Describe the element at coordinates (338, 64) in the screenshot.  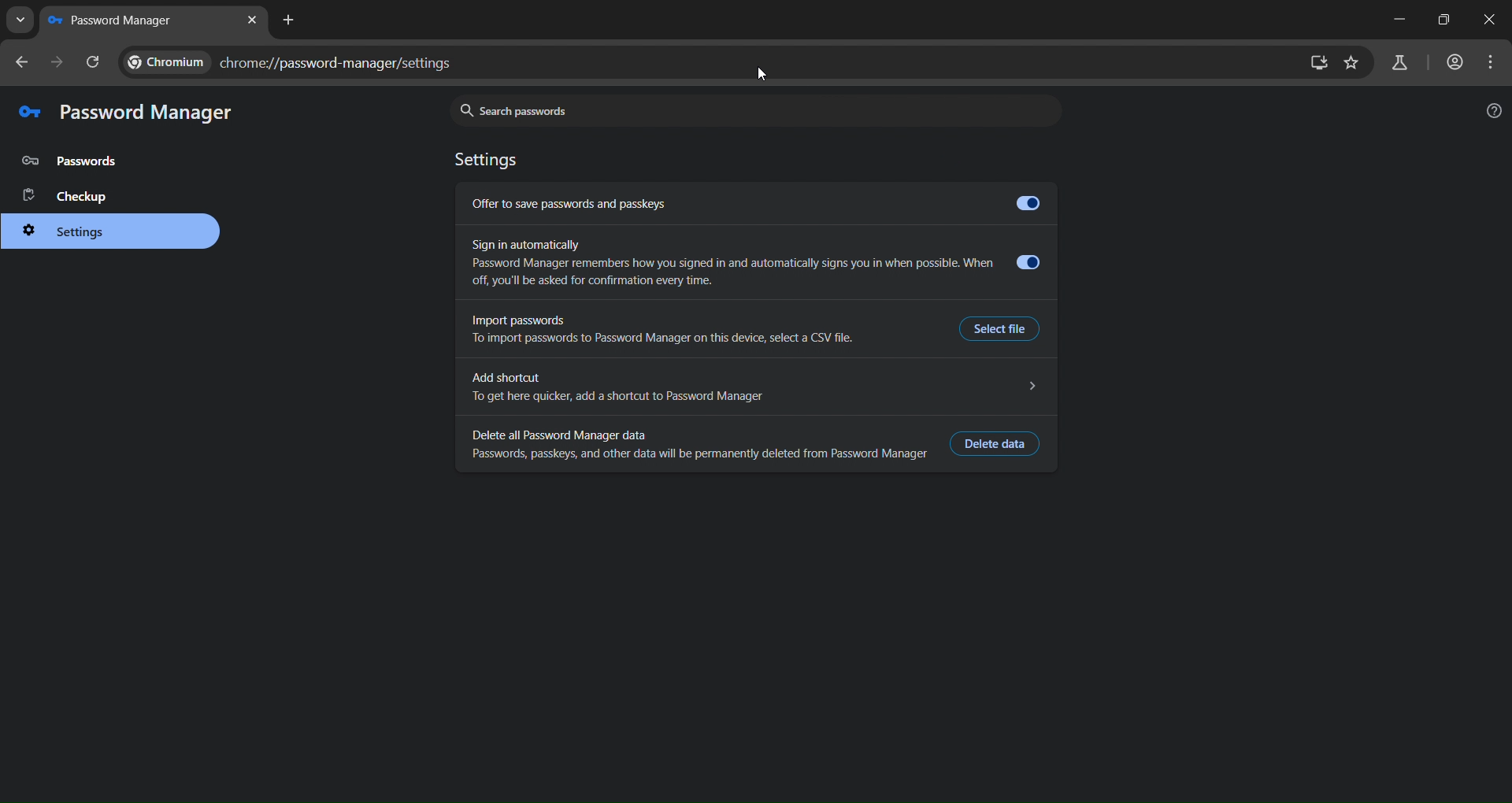
I see `chrome://password-manager/settings` at that location.